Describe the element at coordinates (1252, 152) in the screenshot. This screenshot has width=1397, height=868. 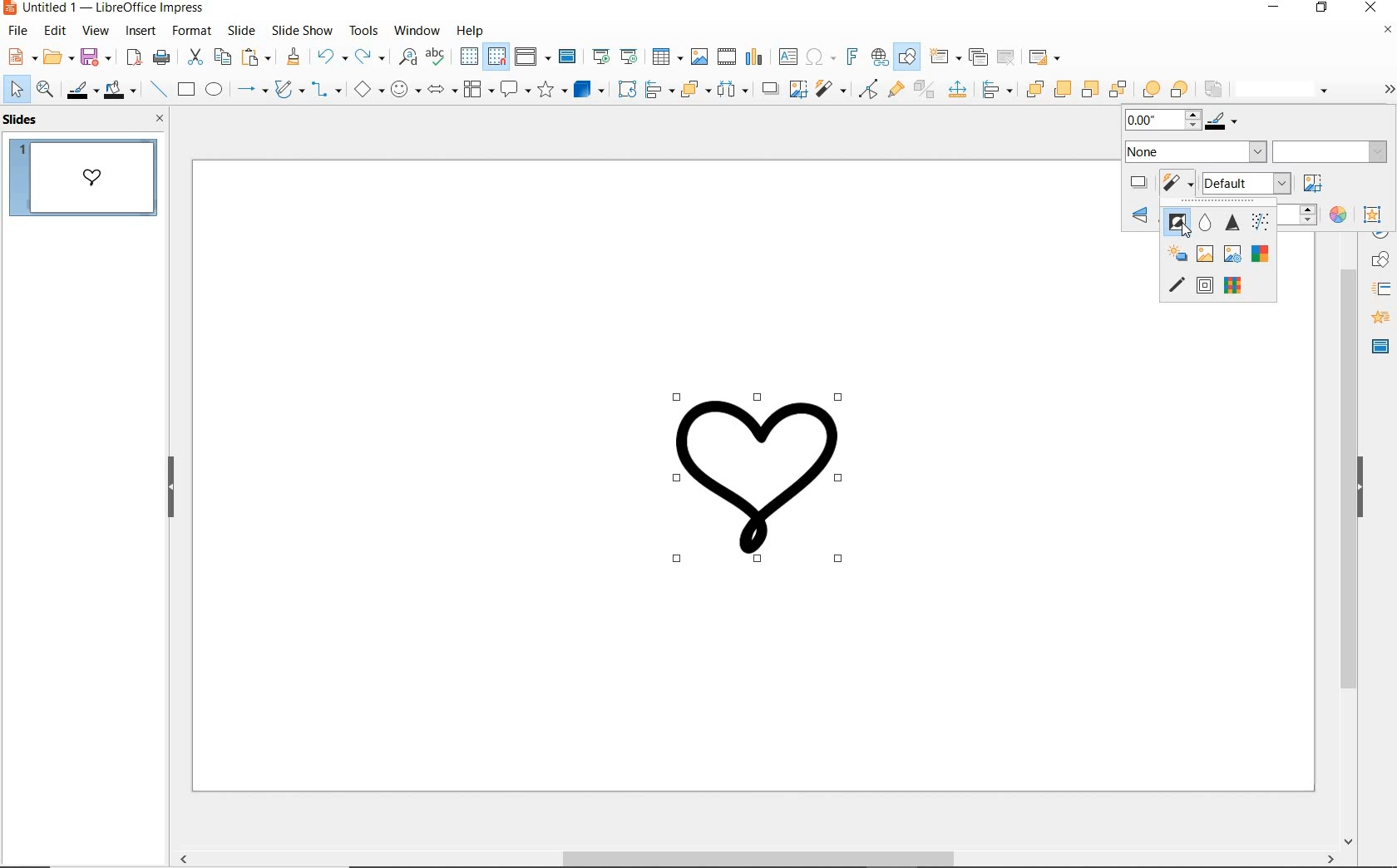
I see `area style/filling` at that location.